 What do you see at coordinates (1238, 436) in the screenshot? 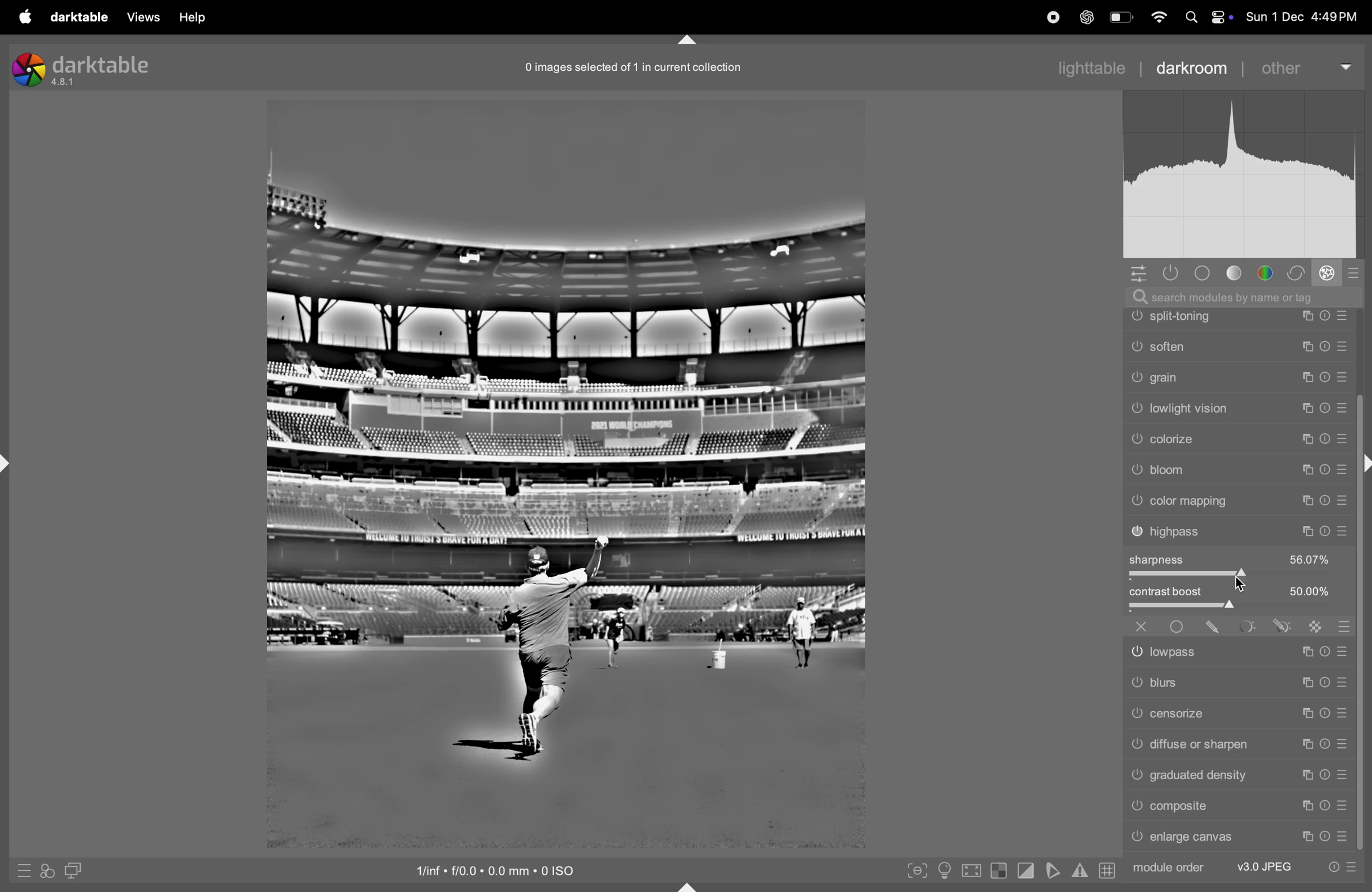
I see `soften` at bounding box center [1238, 436].